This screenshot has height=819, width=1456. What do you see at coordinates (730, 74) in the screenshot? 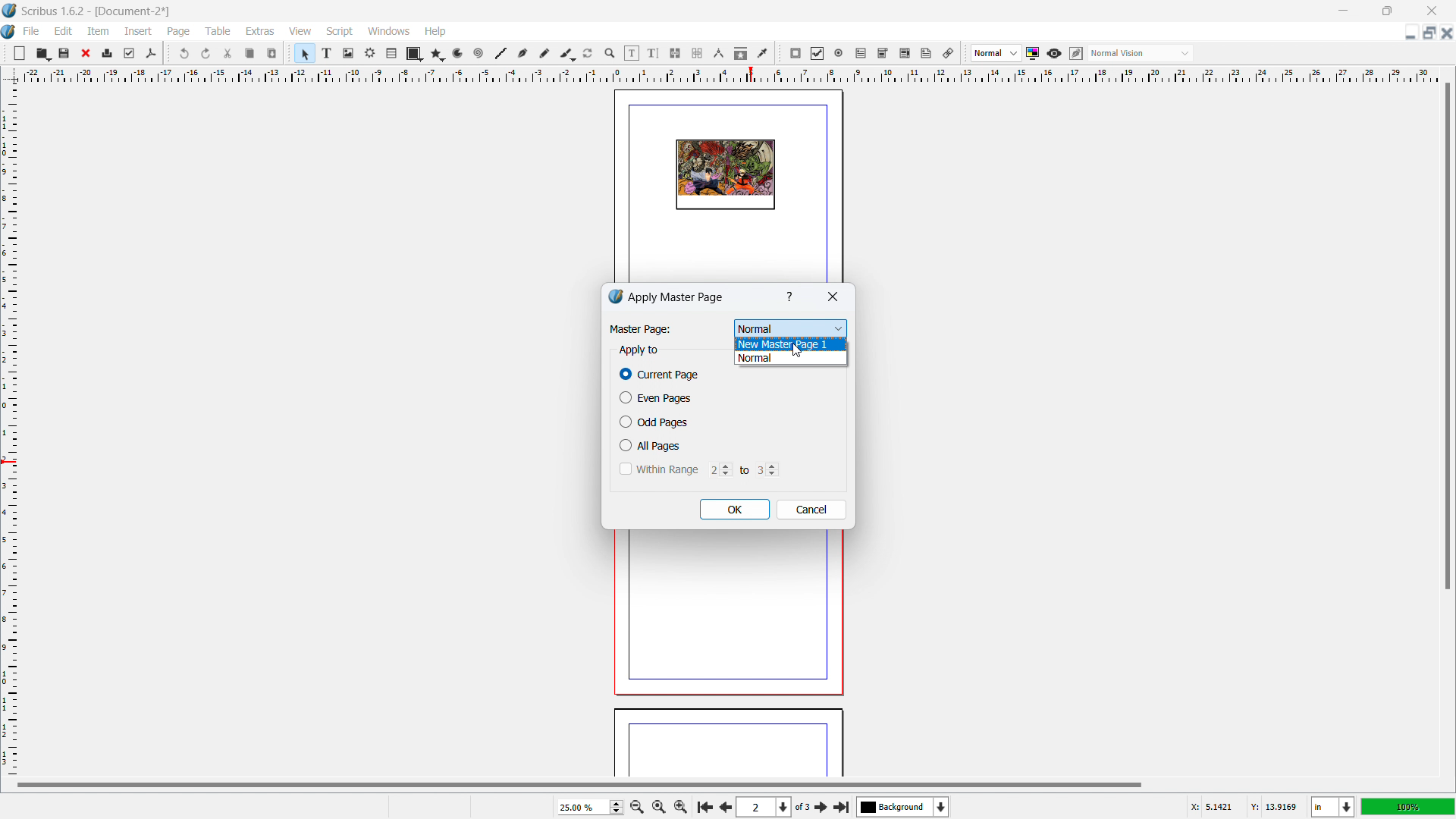
I see `horizontal ruler` at bounding box center [730, 74].